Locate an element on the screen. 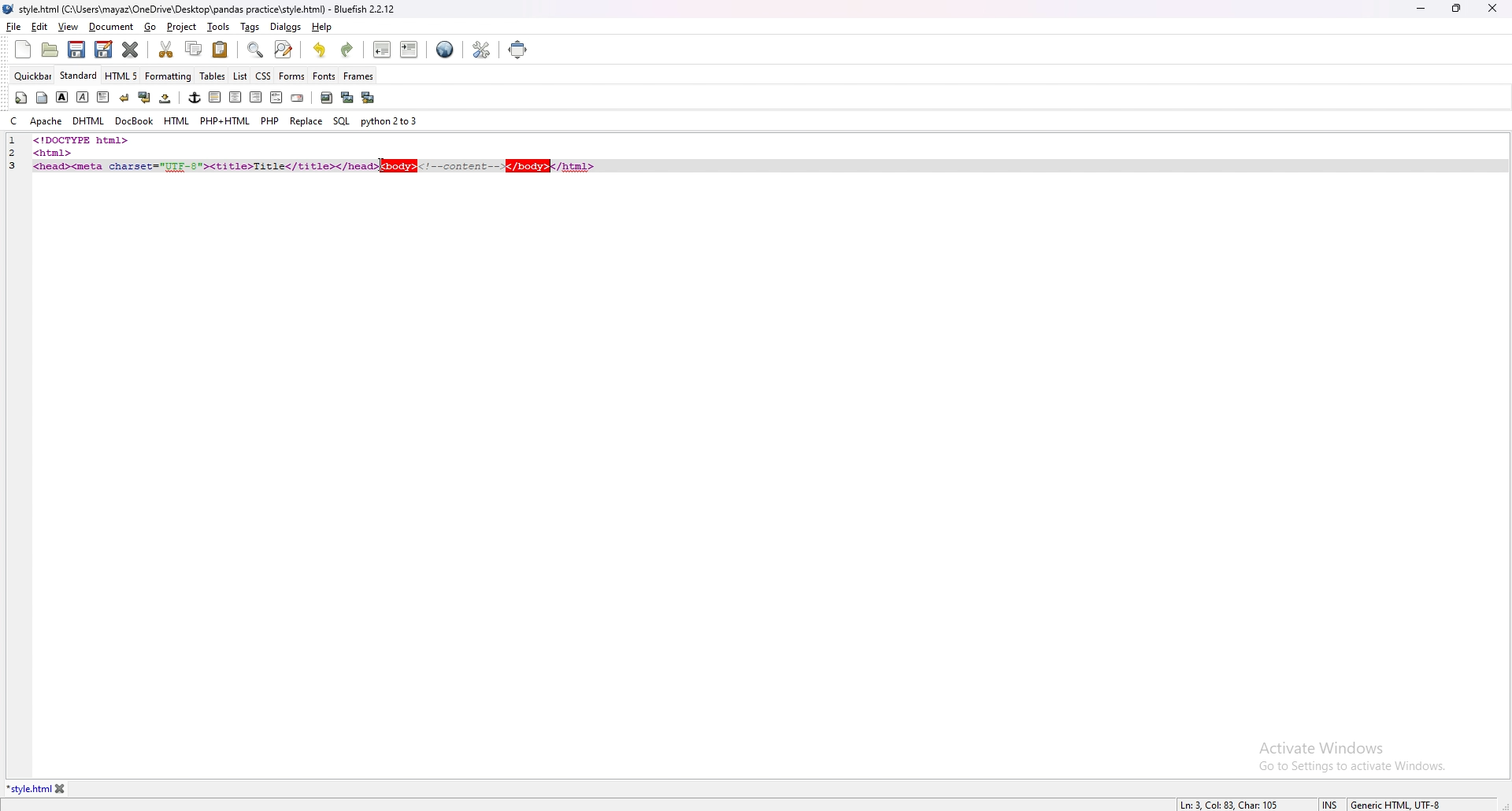  edit preference is located at coordinates (480, 49).